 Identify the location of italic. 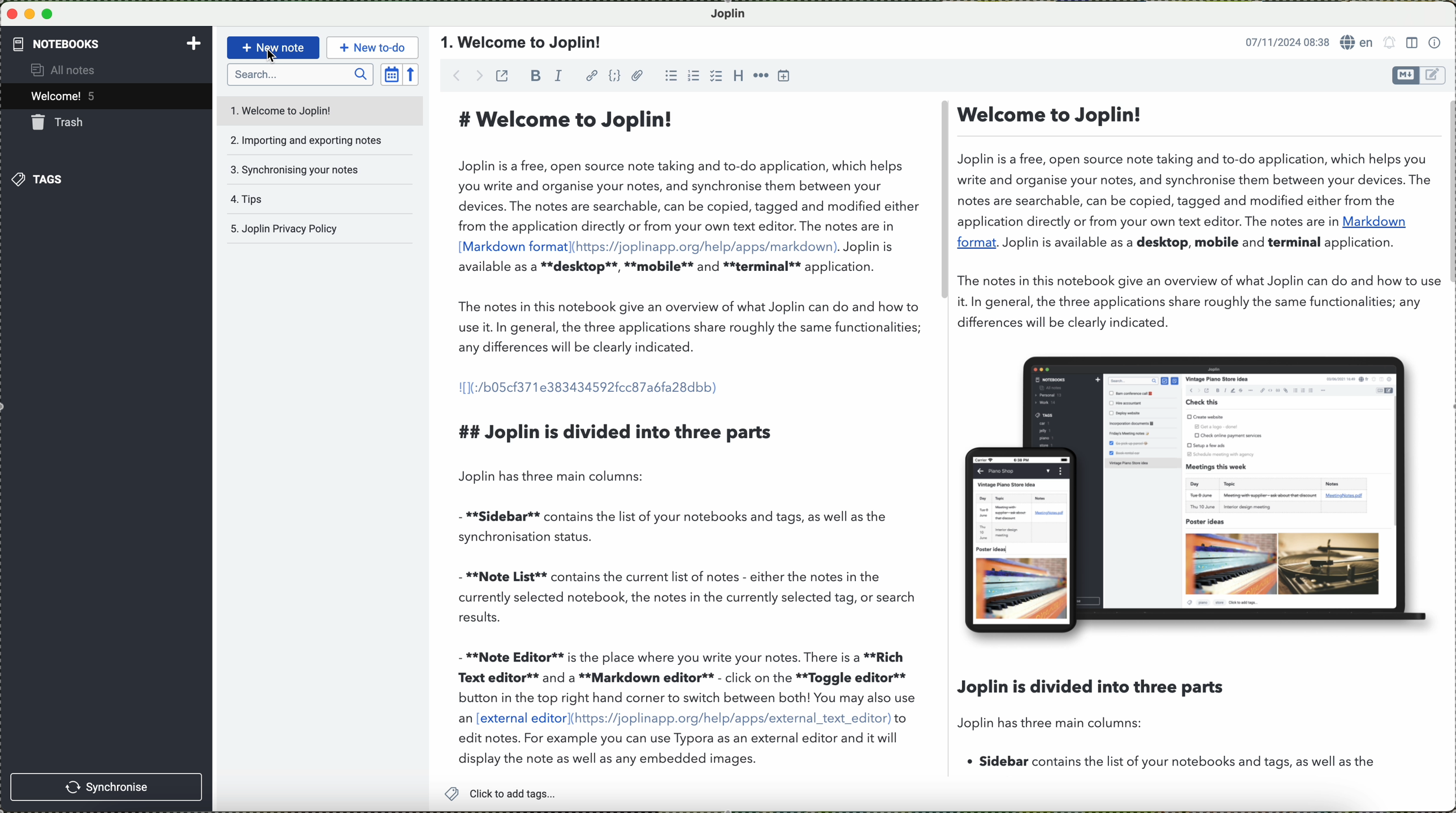
(561, 75).